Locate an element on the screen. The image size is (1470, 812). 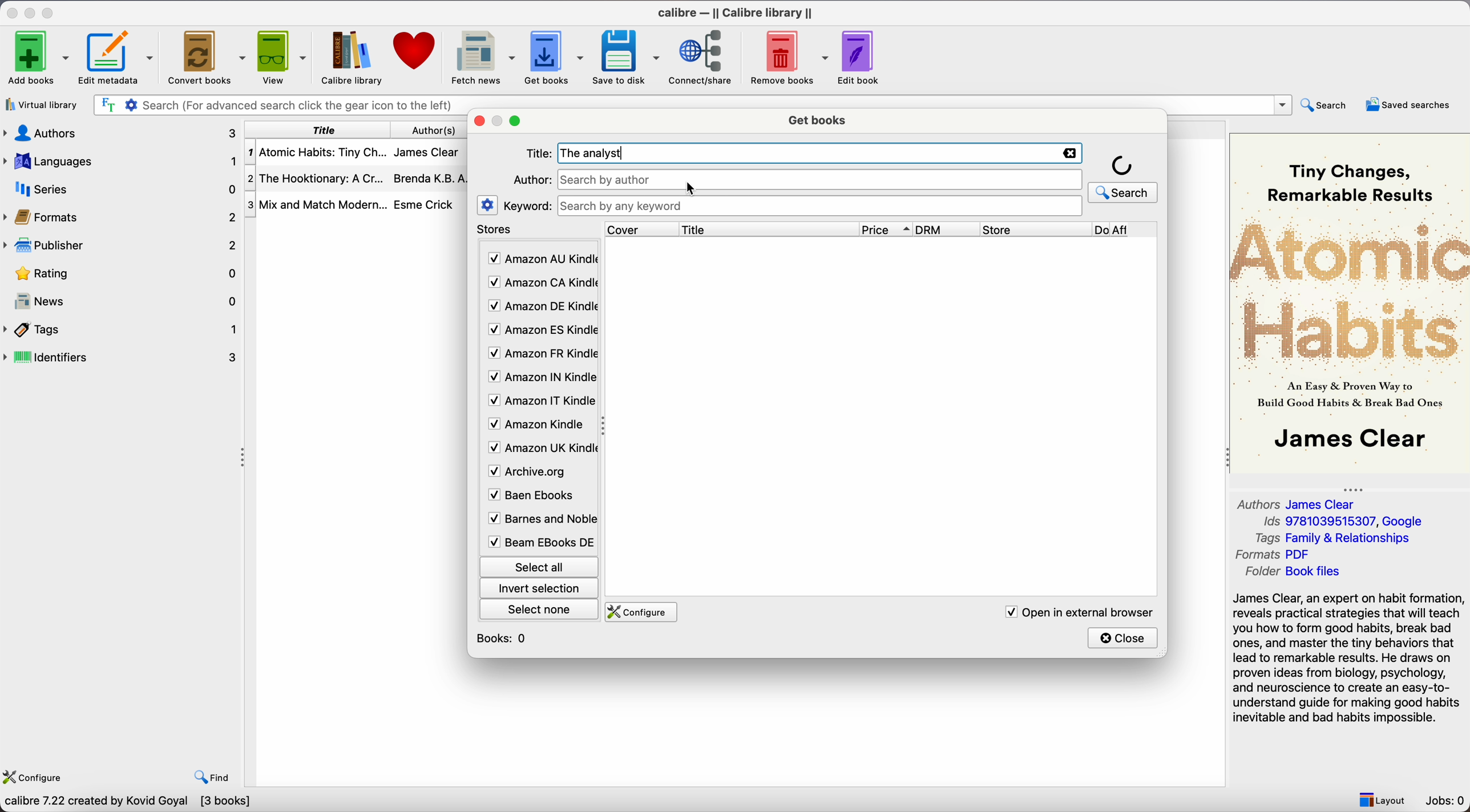
tags is located at coordinates (122, 329).